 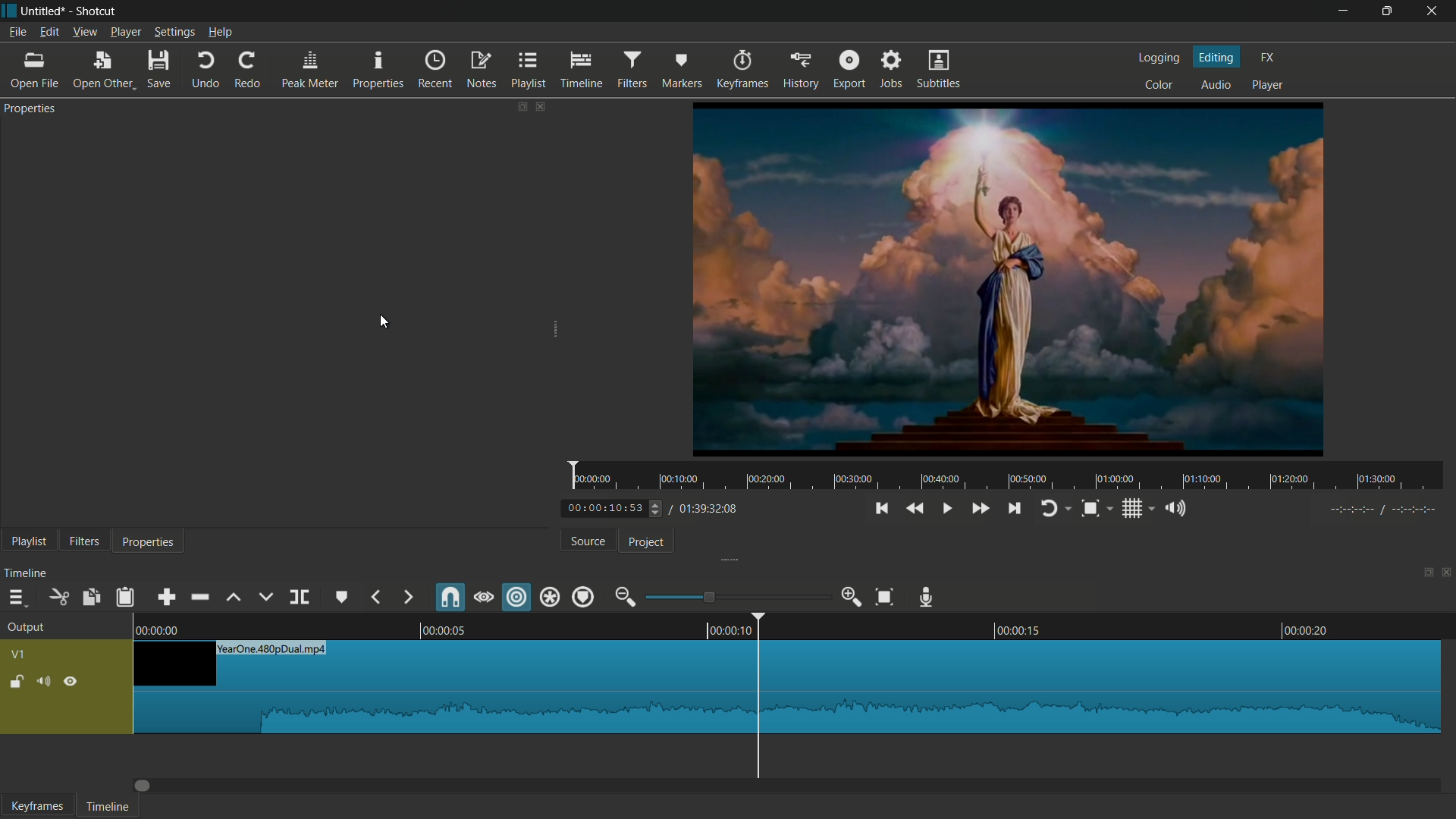 I want to click on minimize, so click(x=1341, y=11).